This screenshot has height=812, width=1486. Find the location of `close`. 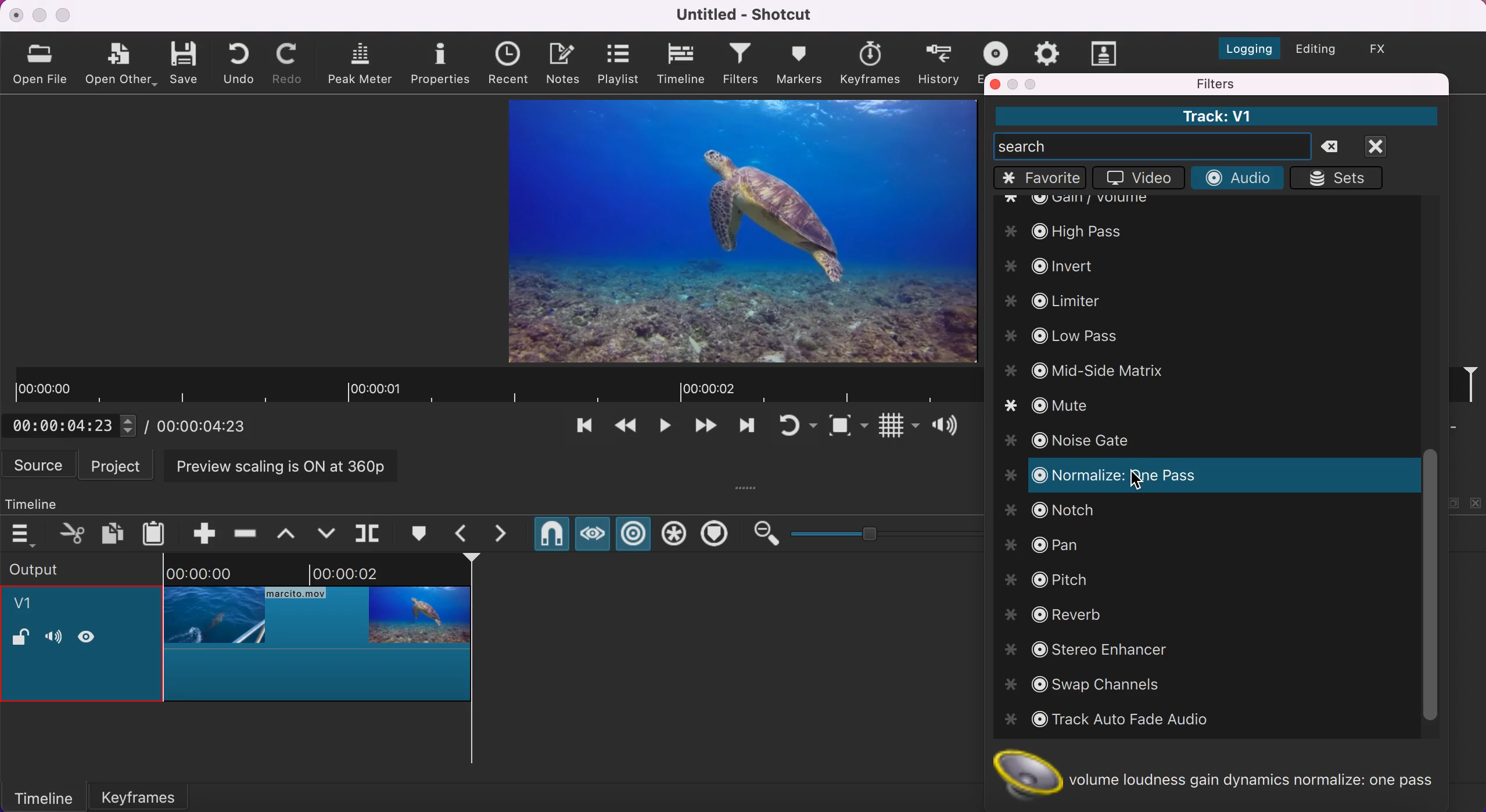

close is located at coordinates (1390, 146).